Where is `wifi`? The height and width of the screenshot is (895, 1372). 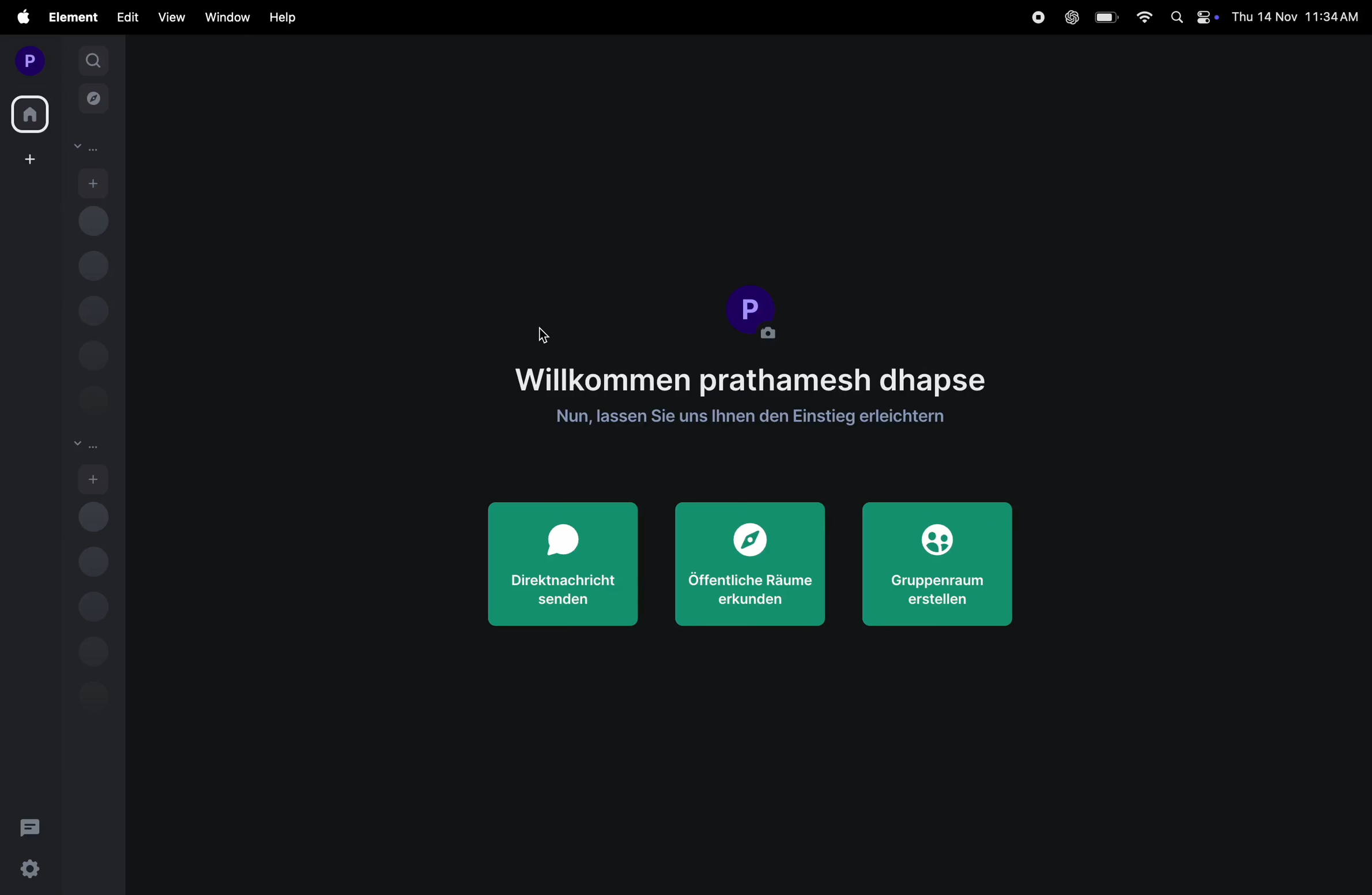
wifi is located at coordinates (1139, 17).